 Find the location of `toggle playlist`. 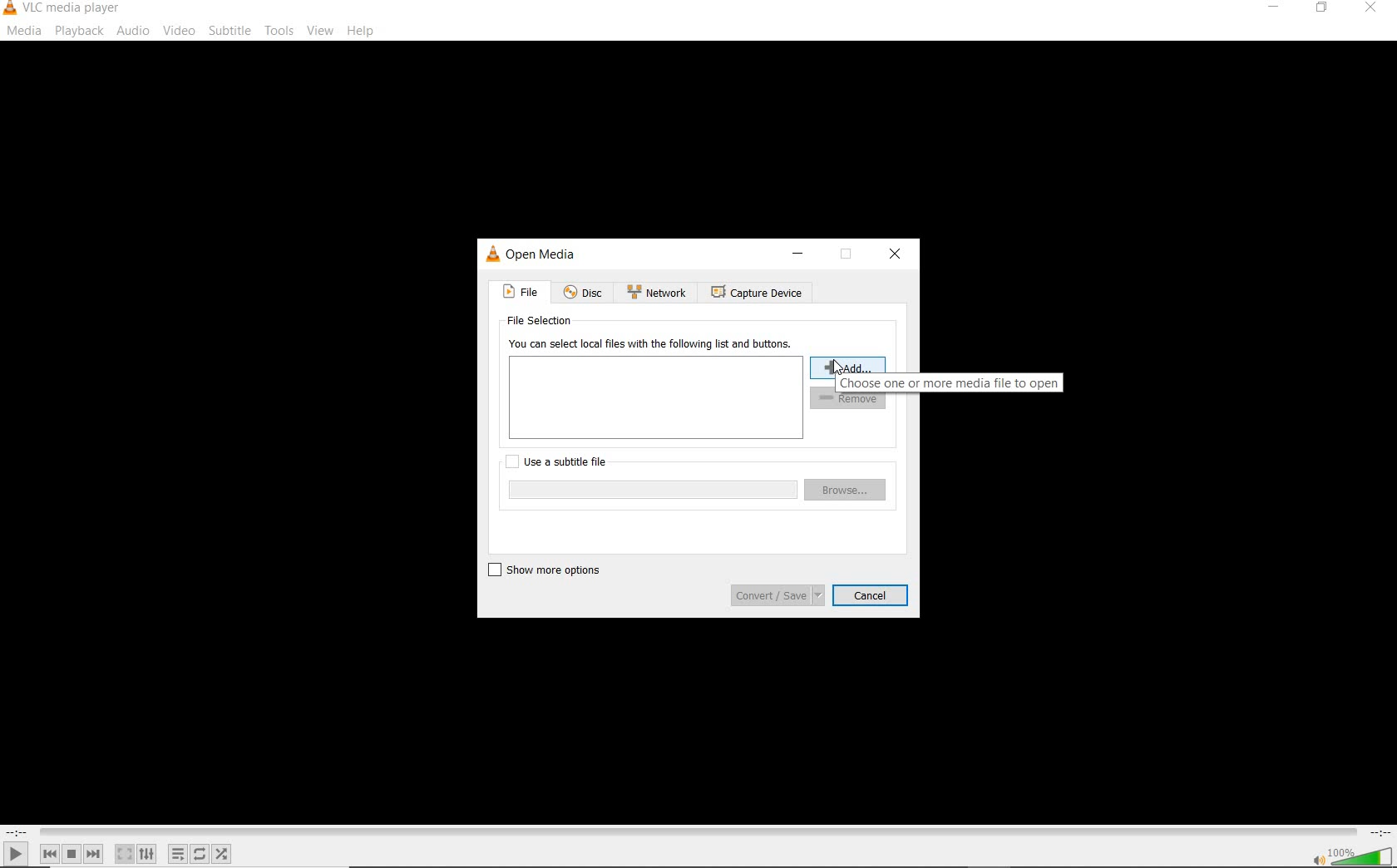

toggle playlist is located at coordinates (178, 854).